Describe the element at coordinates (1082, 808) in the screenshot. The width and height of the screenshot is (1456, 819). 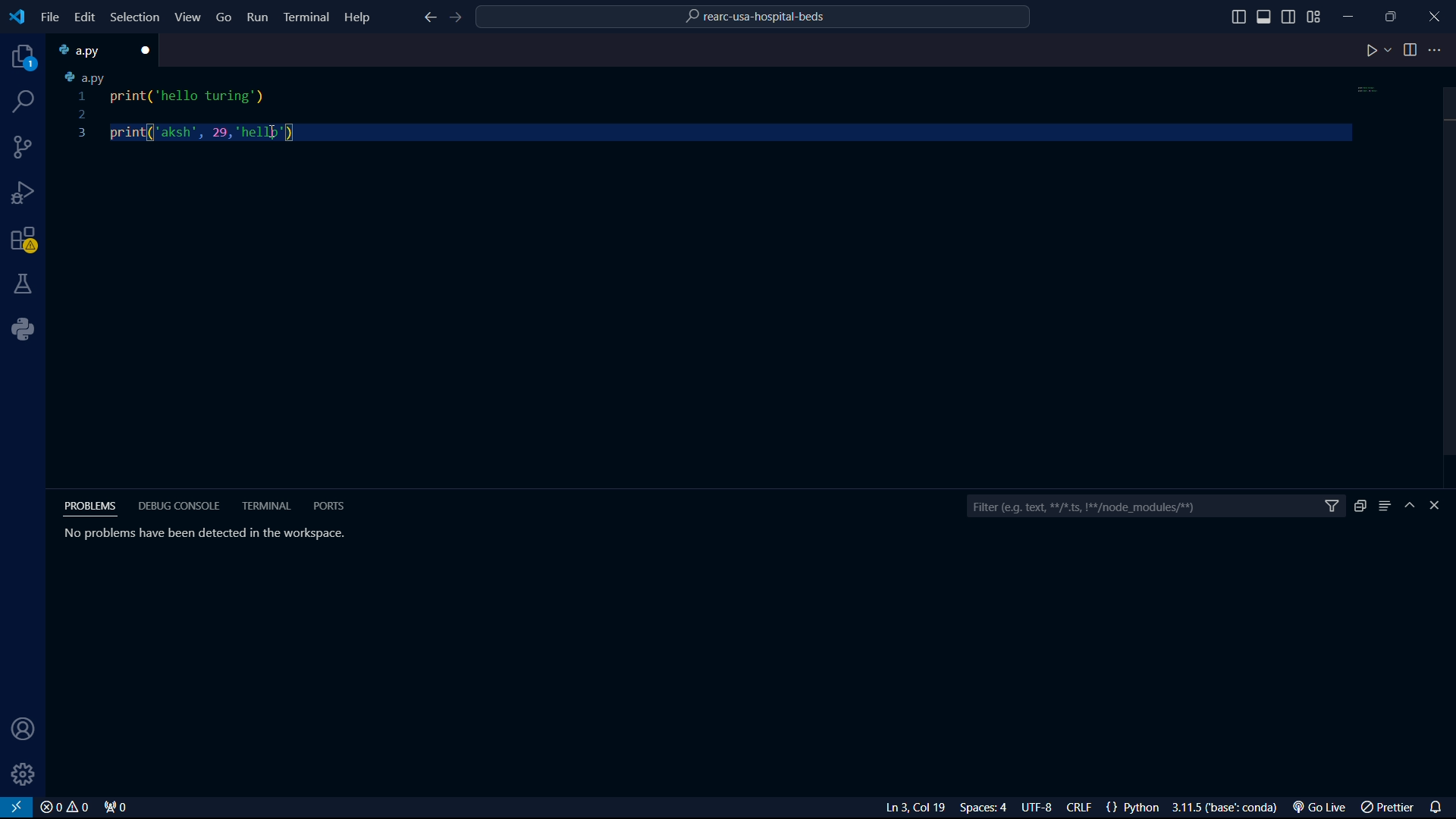
I see `CRLF` at that location.